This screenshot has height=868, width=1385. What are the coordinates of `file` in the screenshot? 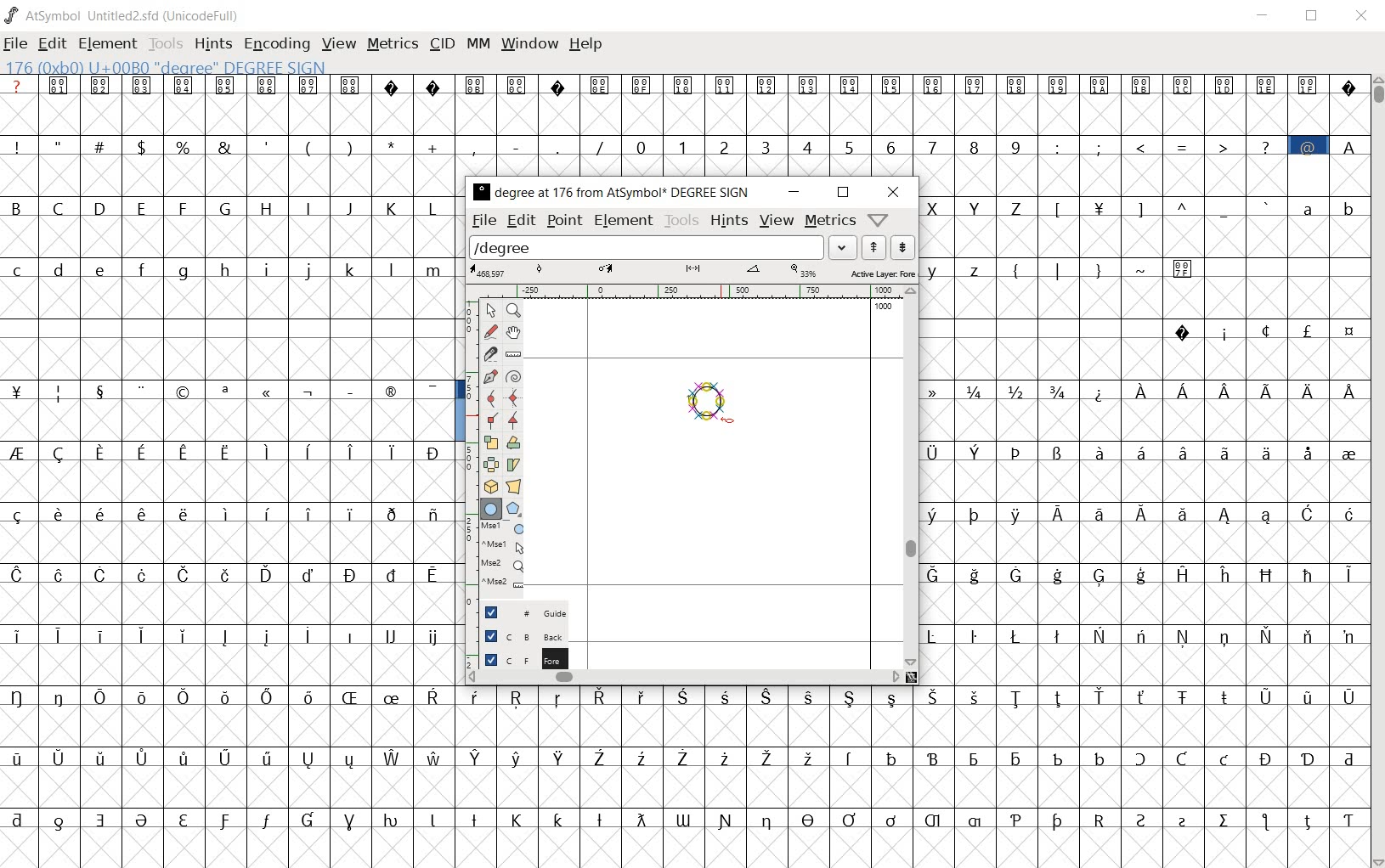 It's located at (15, 45).